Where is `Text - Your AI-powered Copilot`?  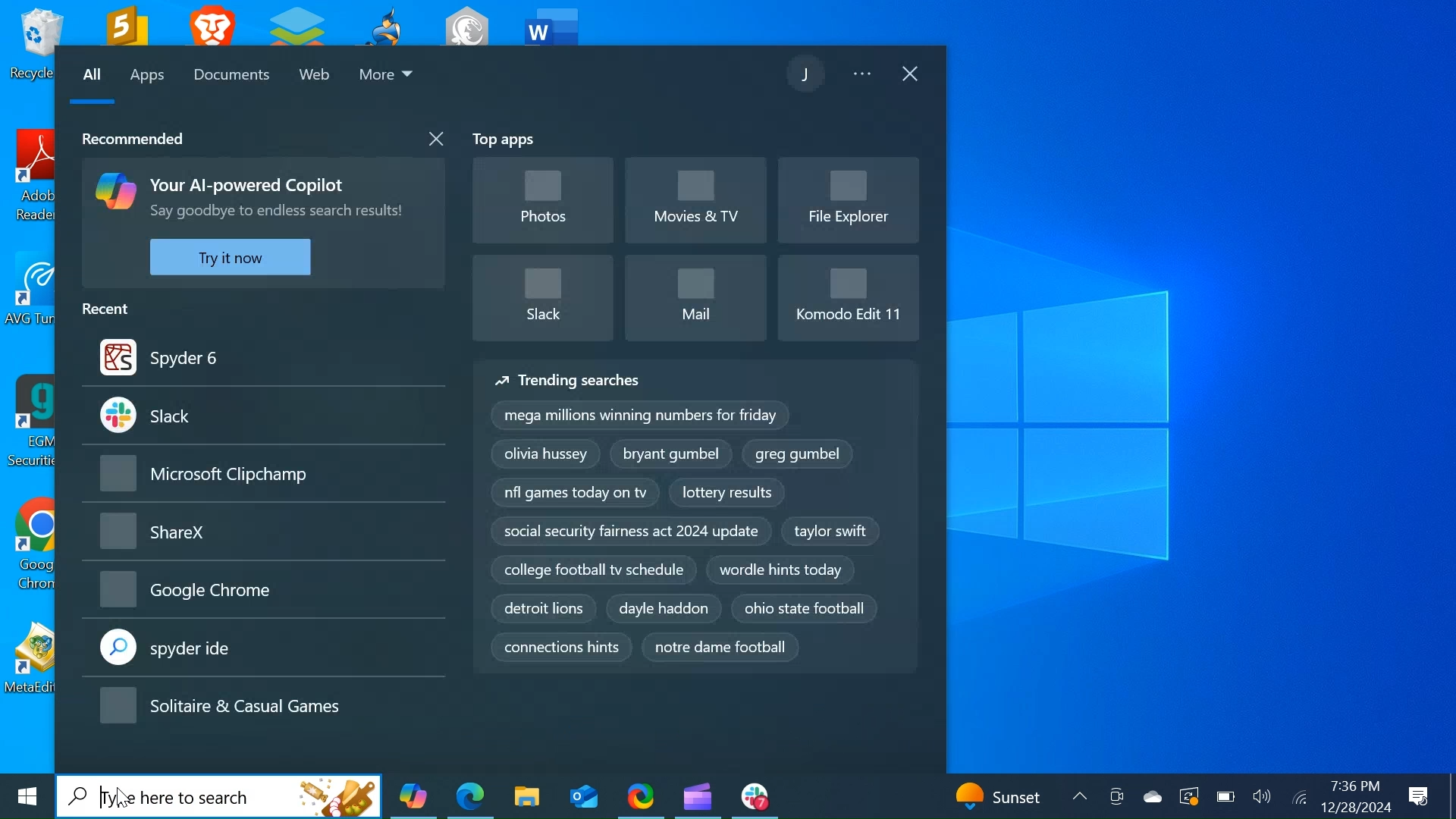 Text - Your AI-powered Copilot is located at coordinates (251, 185).